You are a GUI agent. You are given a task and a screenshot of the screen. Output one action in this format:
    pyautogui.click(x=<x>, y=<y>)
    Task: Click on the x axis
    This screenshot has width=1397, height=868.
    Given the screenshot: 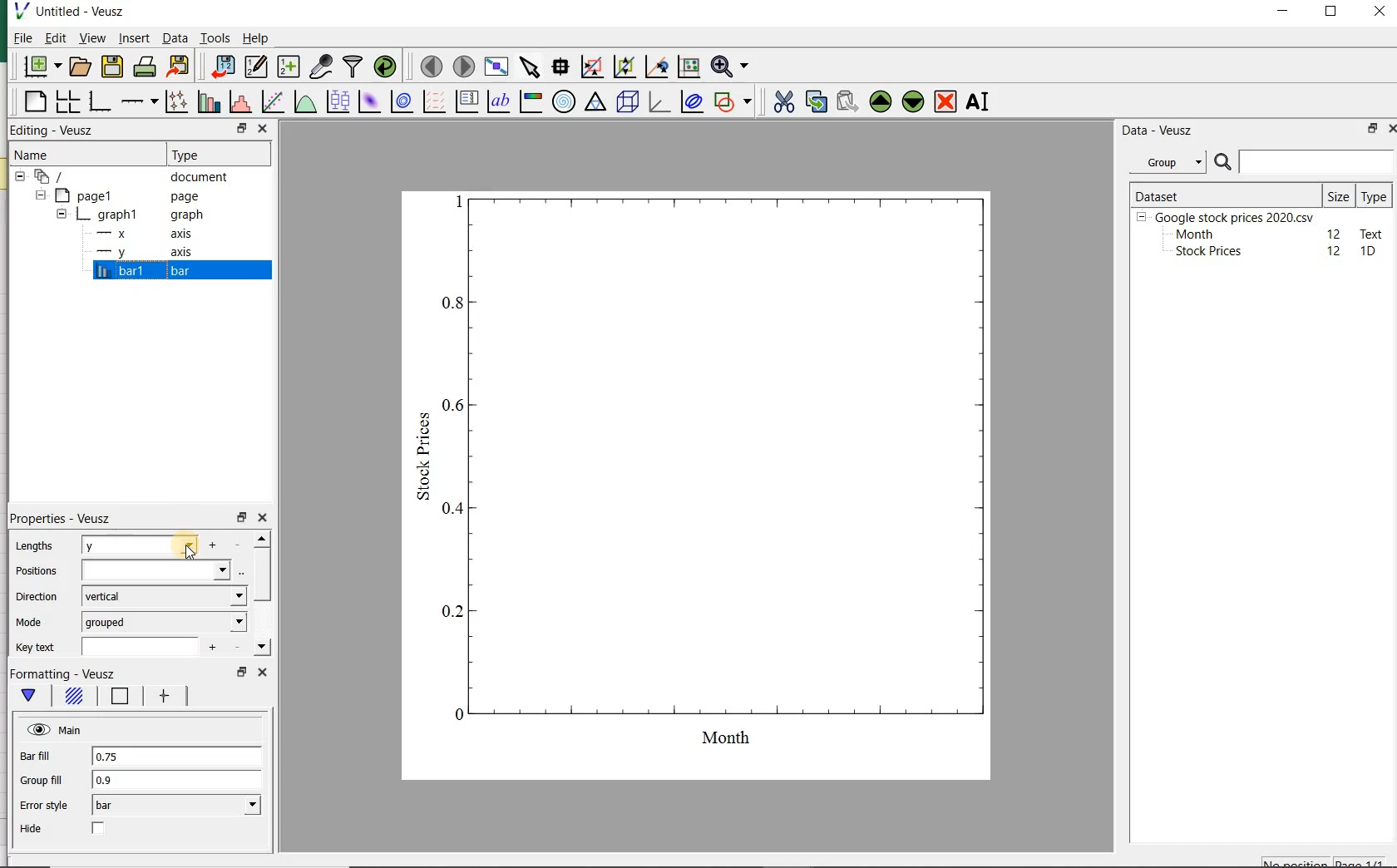 What is the action you would take?
    pyautogui.click(x=137, y=234)
    